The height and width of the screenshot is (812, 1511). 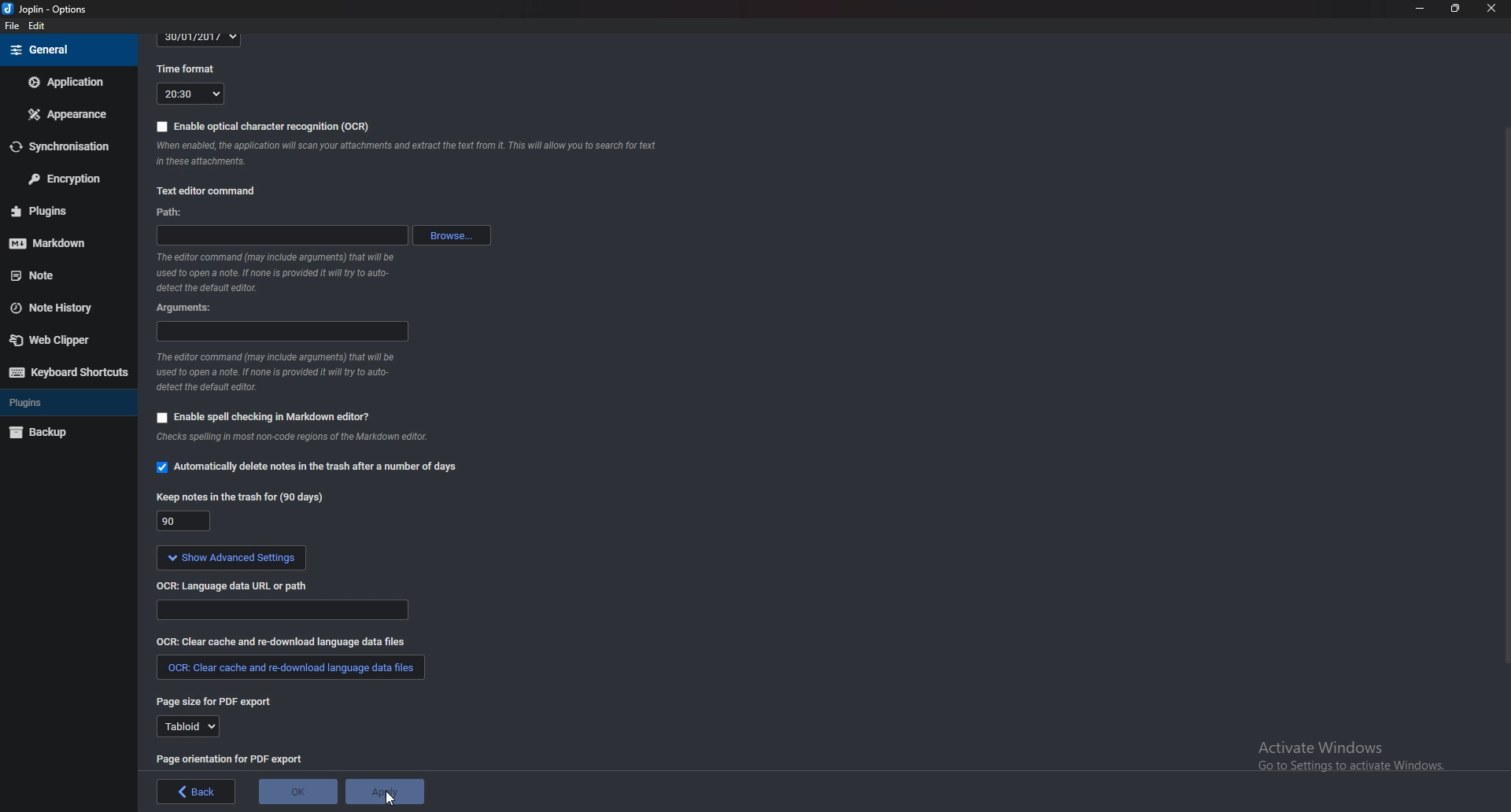 What do you see at coordinates (191, 307) in the screenshot?
I see `Arguments` at bounding box center [191, 307].